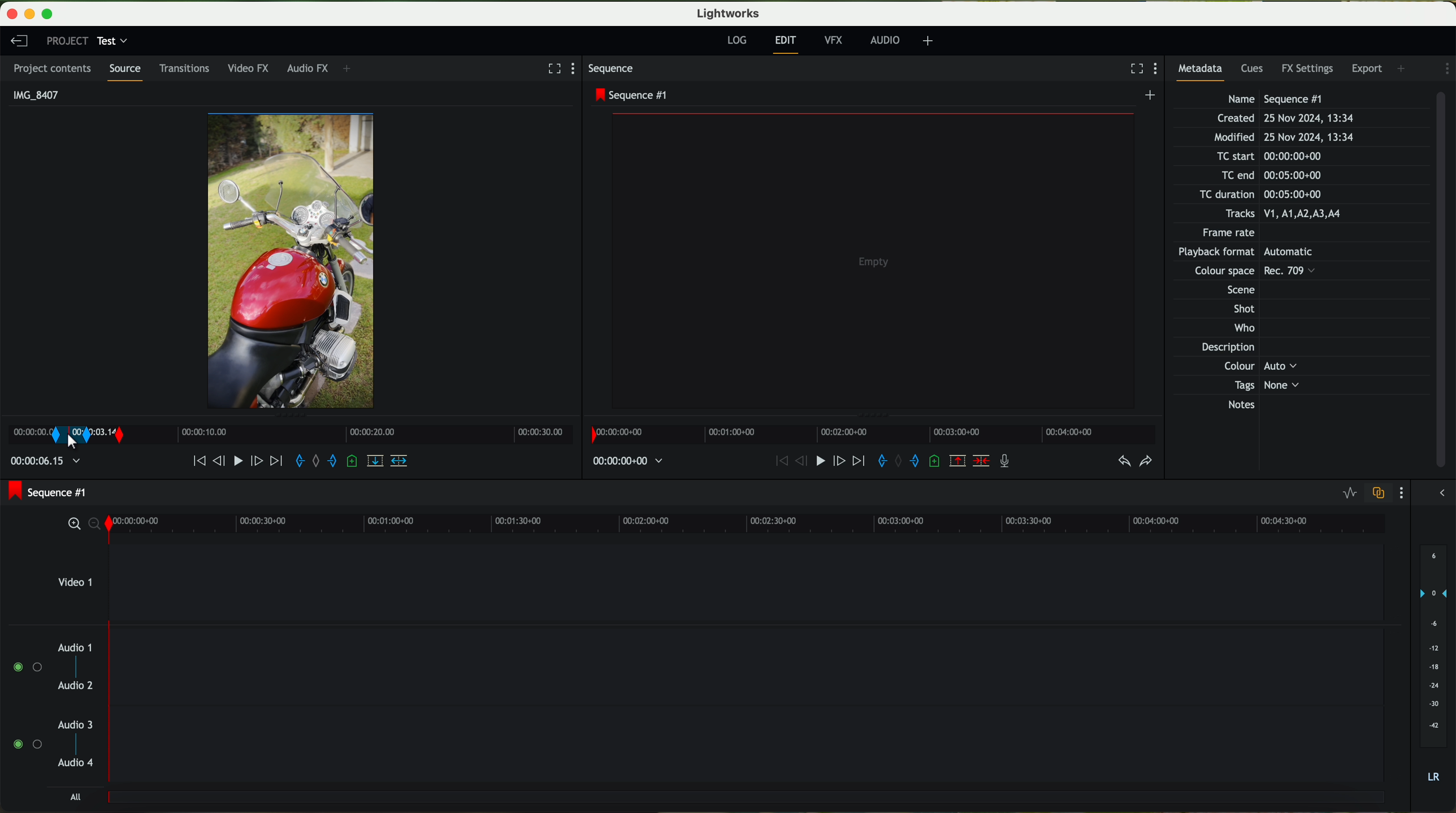 The height and width of the screenshot is (813, 1456). Describe the element at coordinates (1258, 366) in the screenshot. I see `` at that location.